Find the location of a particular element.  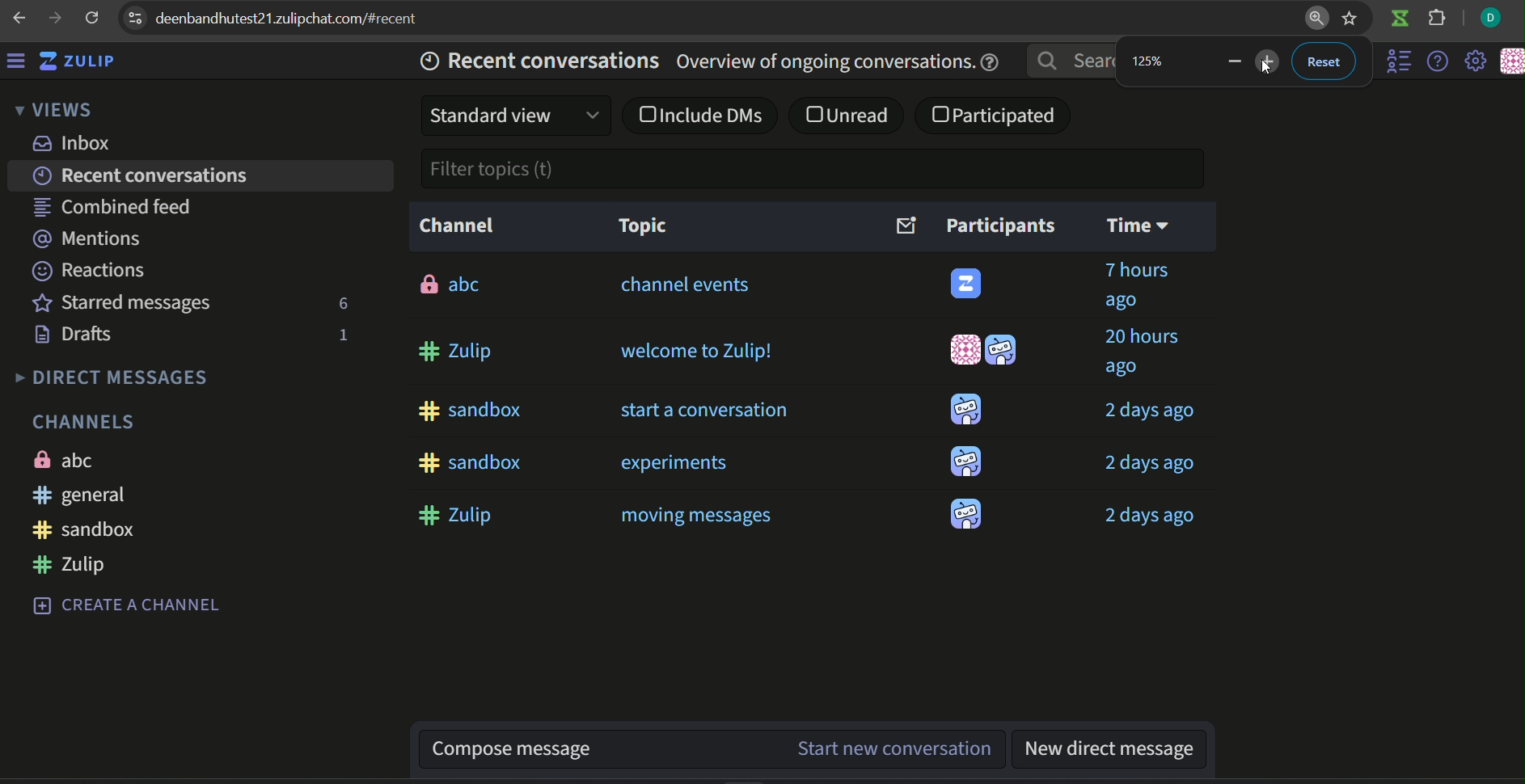

profile icon is located at coordinates (1491, 19).